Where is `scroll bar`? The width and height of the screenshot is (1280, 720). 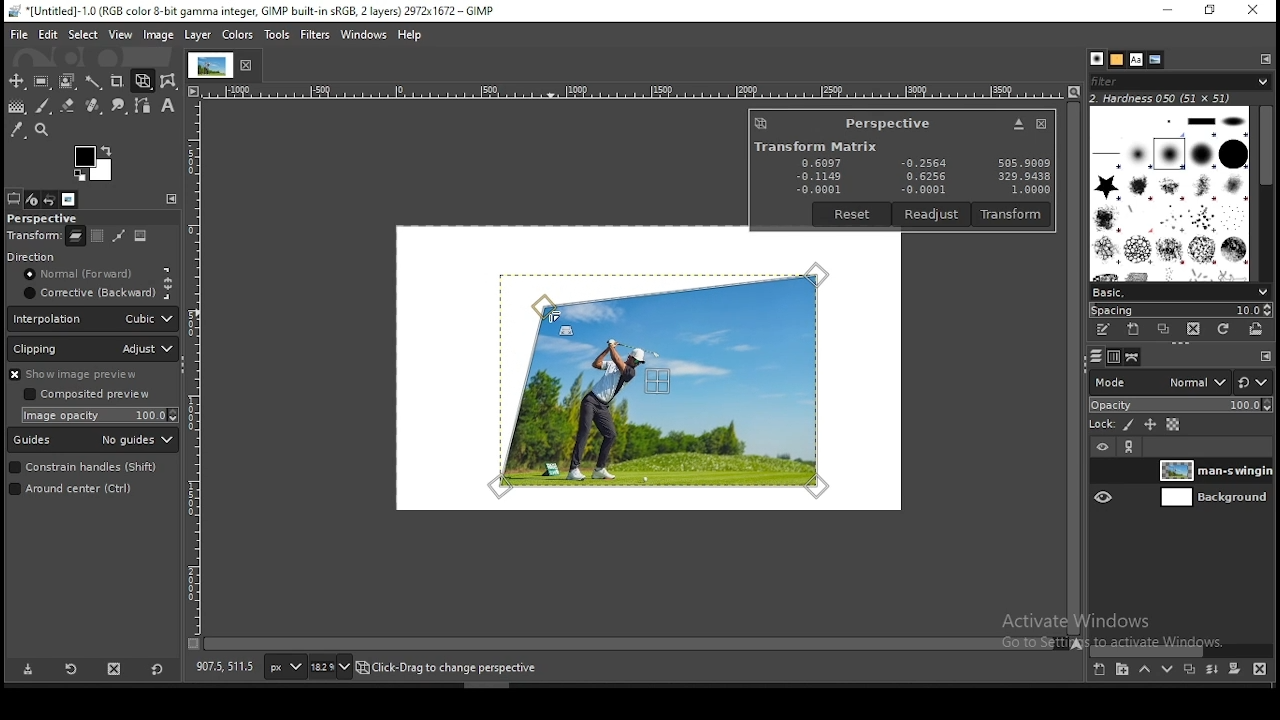 scroll bar is located at coordinates (1183, 648).